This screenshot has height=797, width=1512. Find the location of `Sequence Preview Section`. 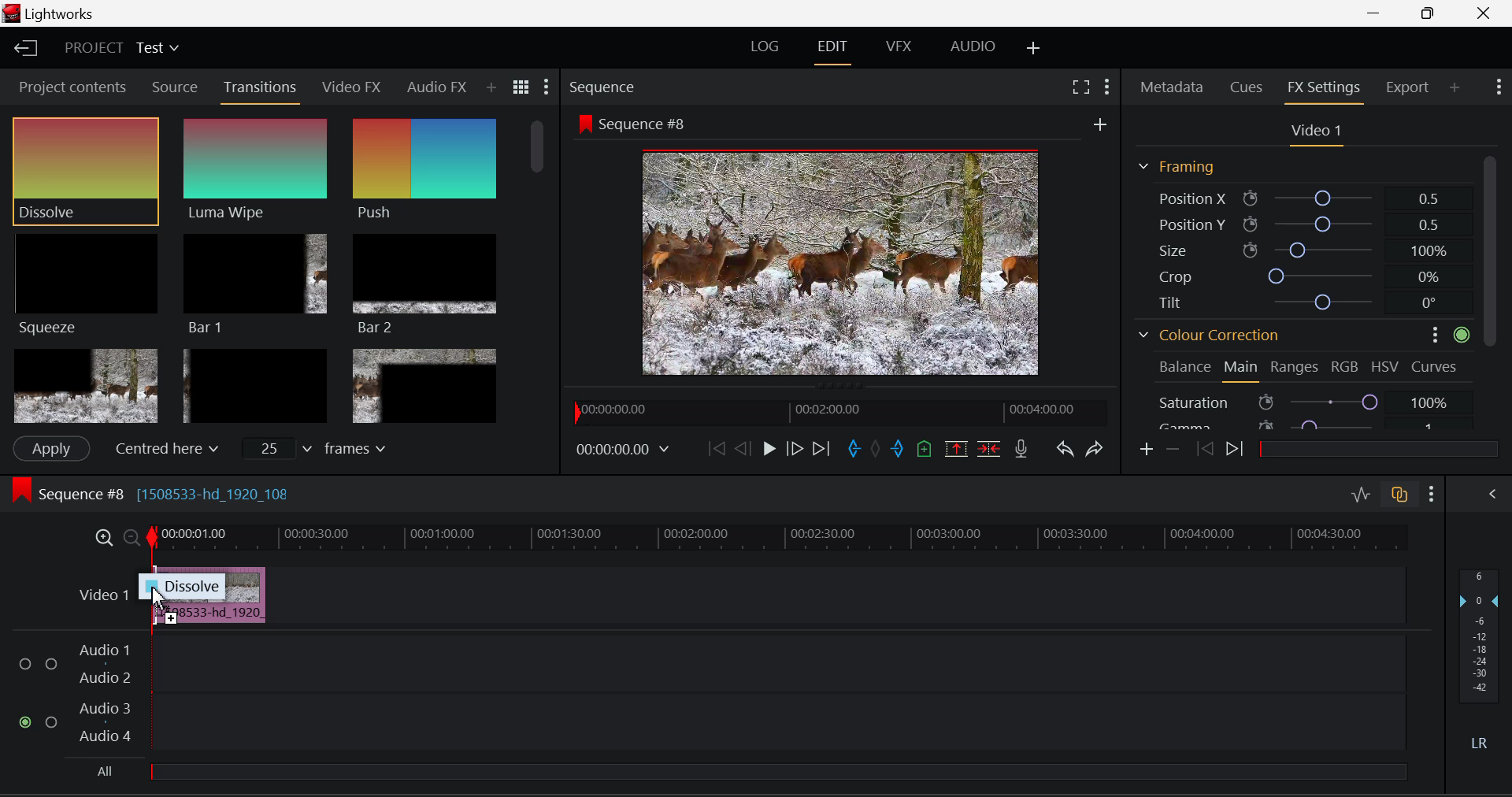

Sequence Preview Section is located at coordinates (606, 88).